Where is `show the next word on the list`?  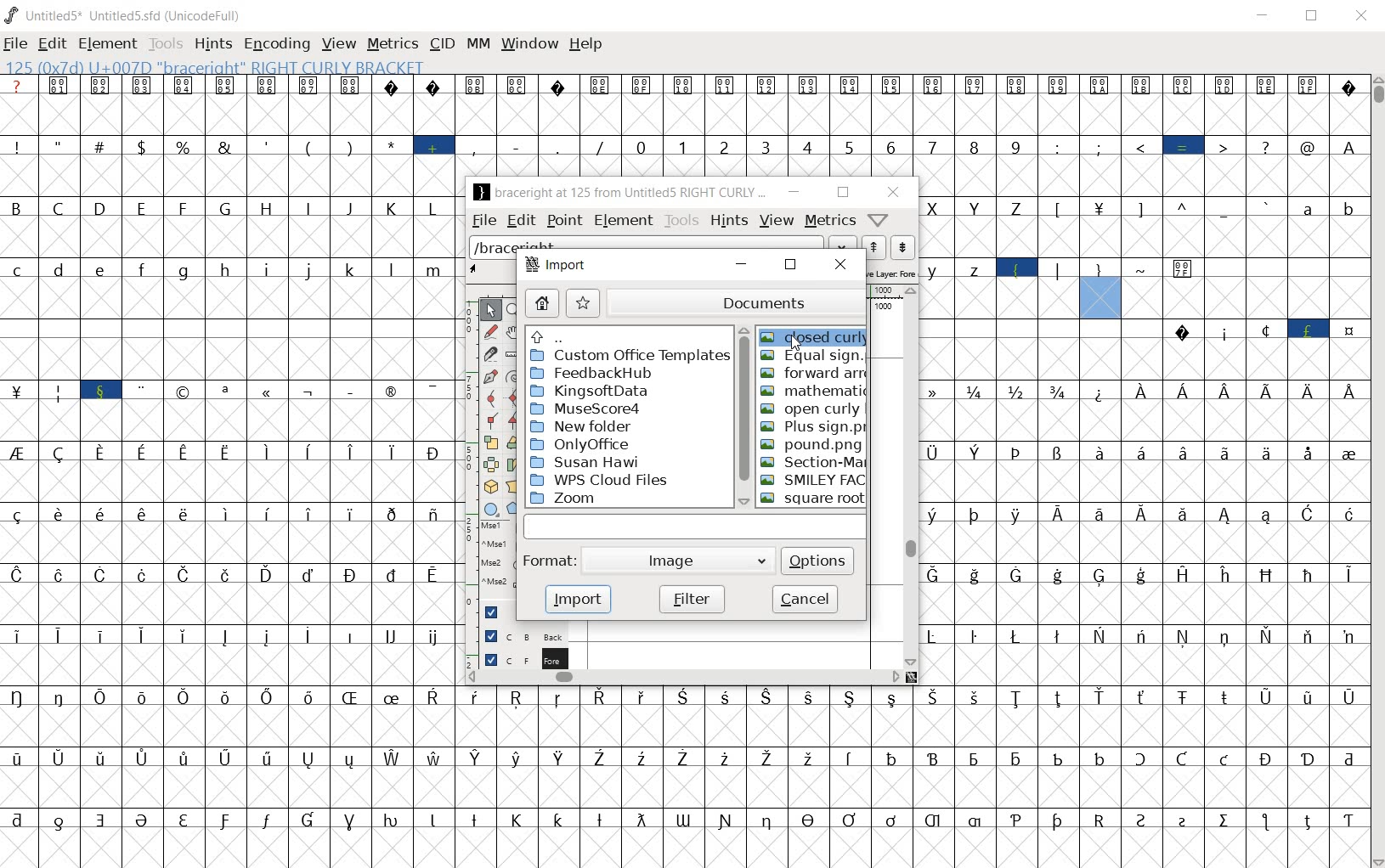 show the next word on the list is located at coordinates (872, 247).